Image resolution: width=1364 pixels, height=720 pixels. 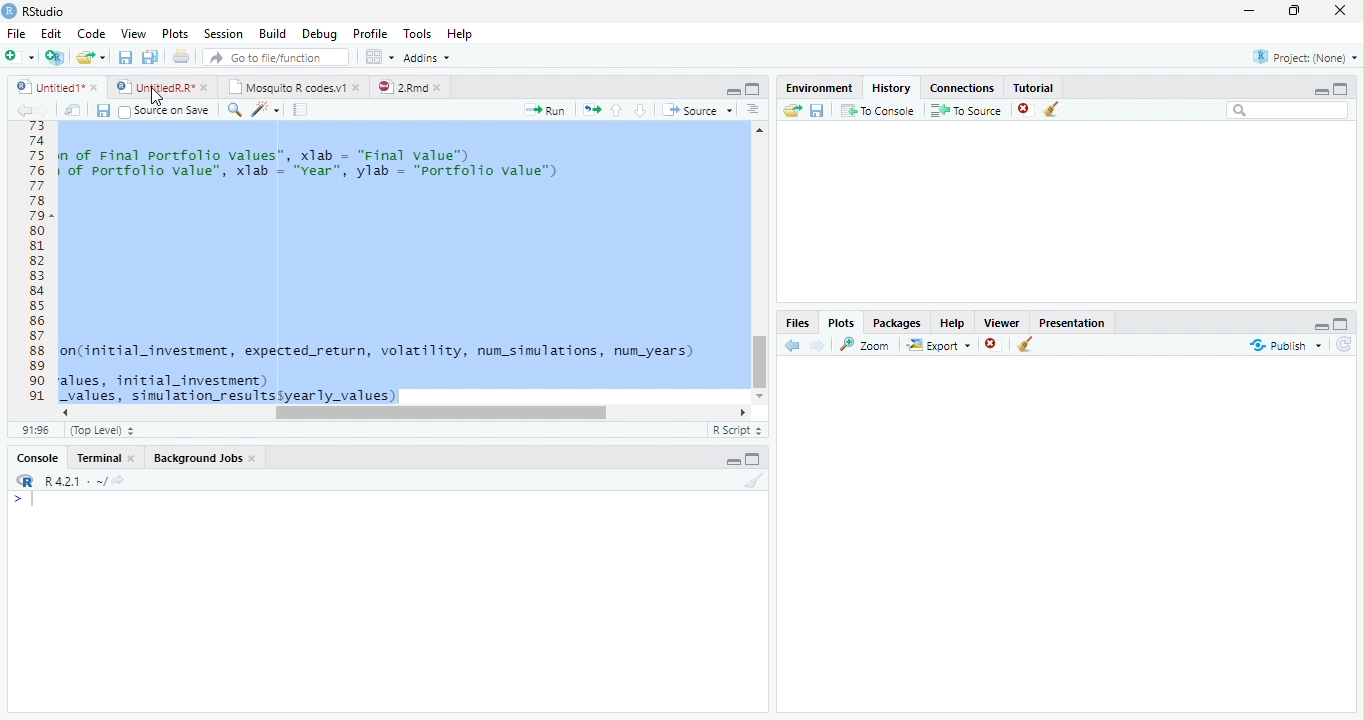 What do you see at coordinates (35, 270) in the screenshot?
I see `Line Numbers` at bounding box center [35, 270].